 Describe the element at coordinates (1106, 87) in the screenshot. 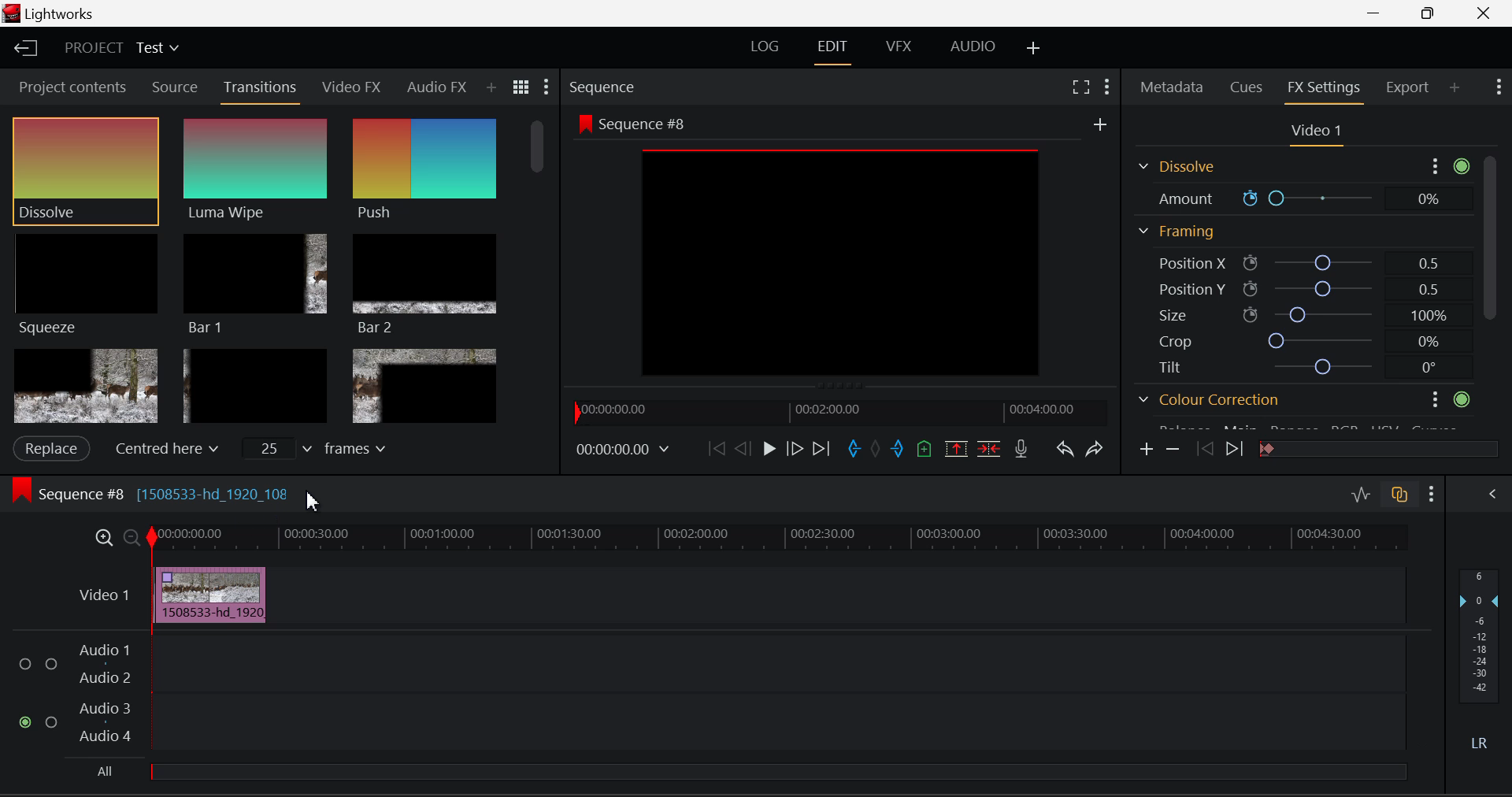

I see `Show Settings` at that location.